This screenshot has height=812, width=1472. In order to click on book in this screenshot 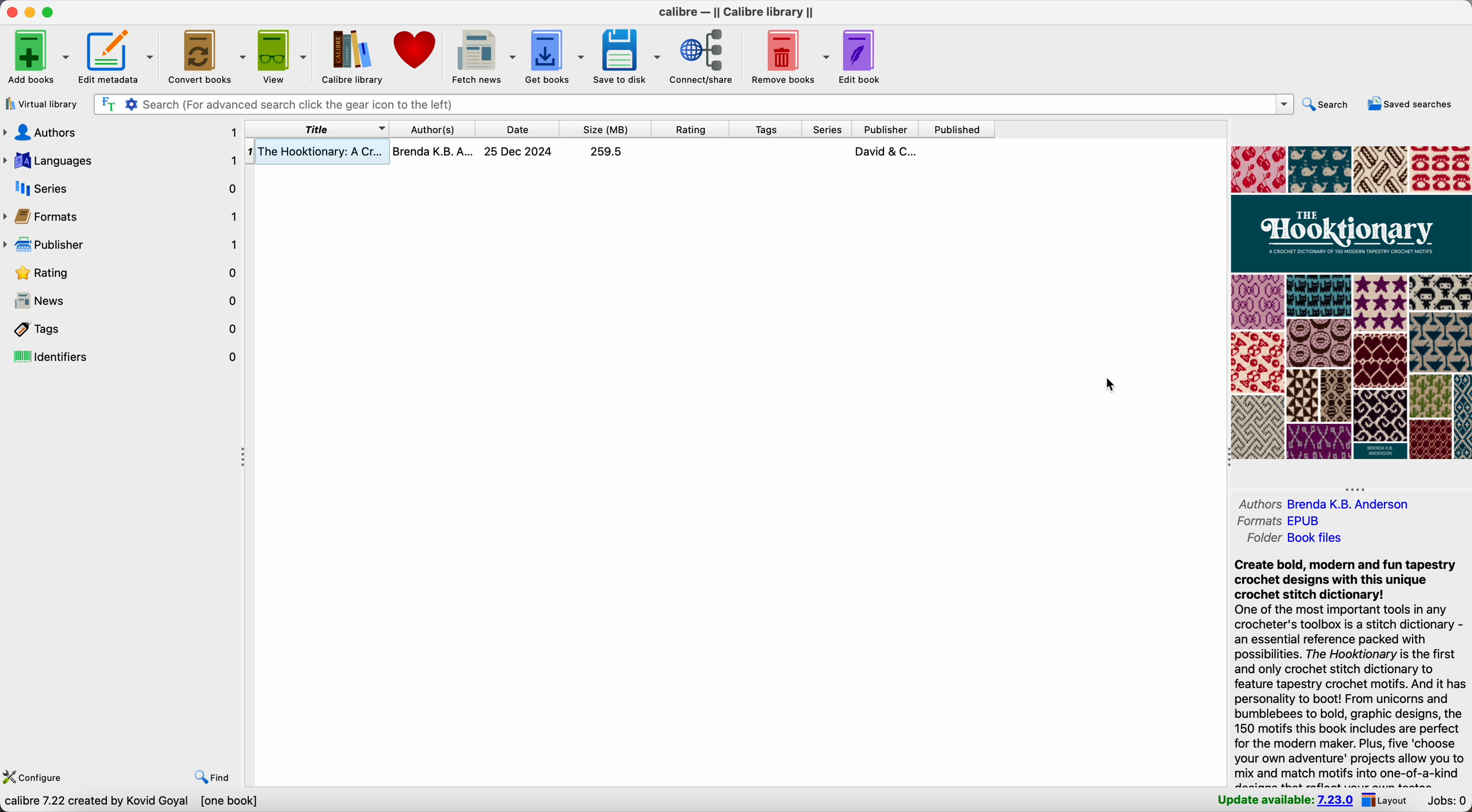, I will do `click(620, 154)`.